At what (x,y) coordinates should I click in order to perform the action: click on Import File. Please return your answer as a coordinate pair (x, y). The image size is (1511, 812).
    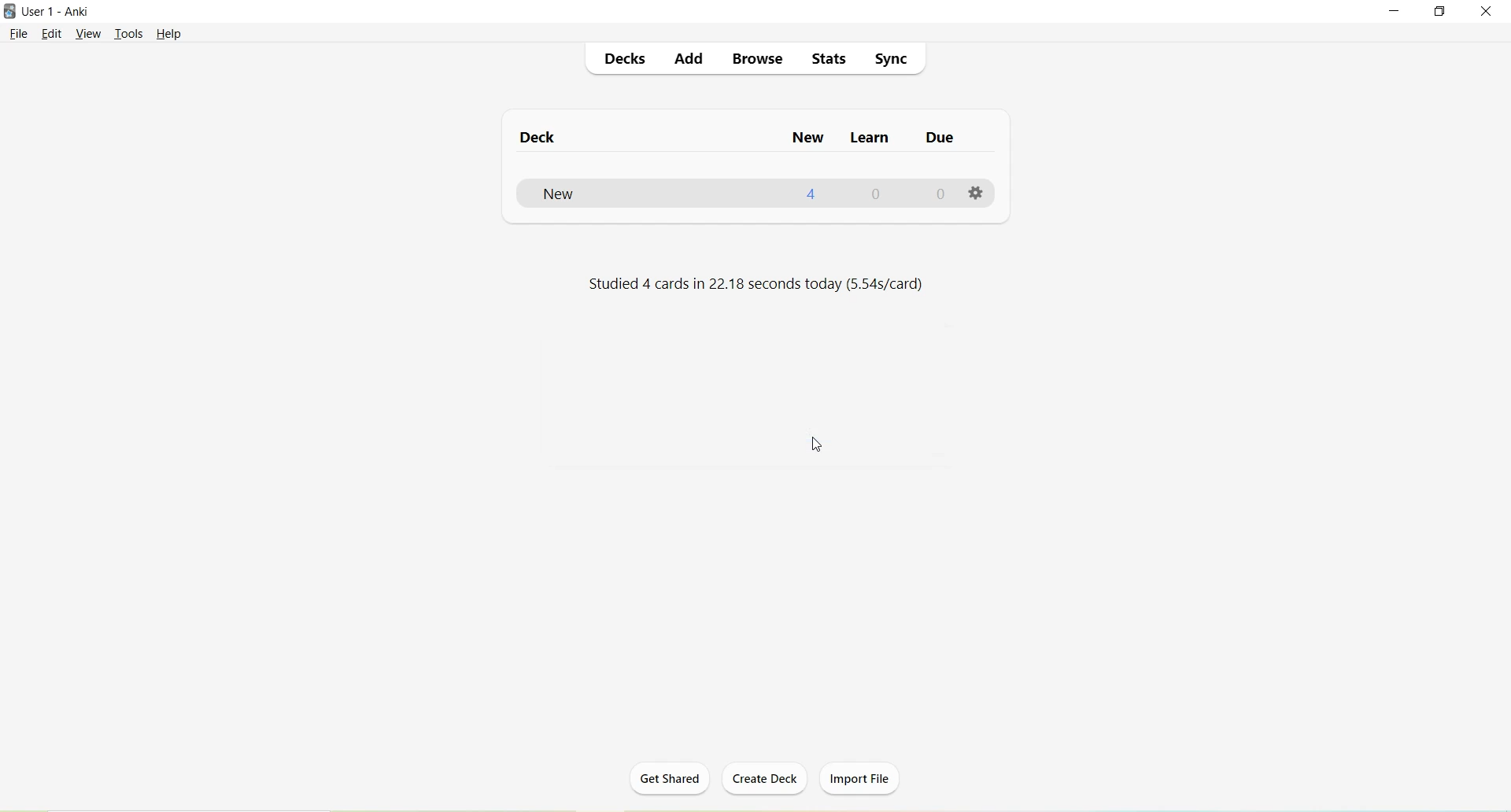
    Looking at the image, I should click on (861, 778).